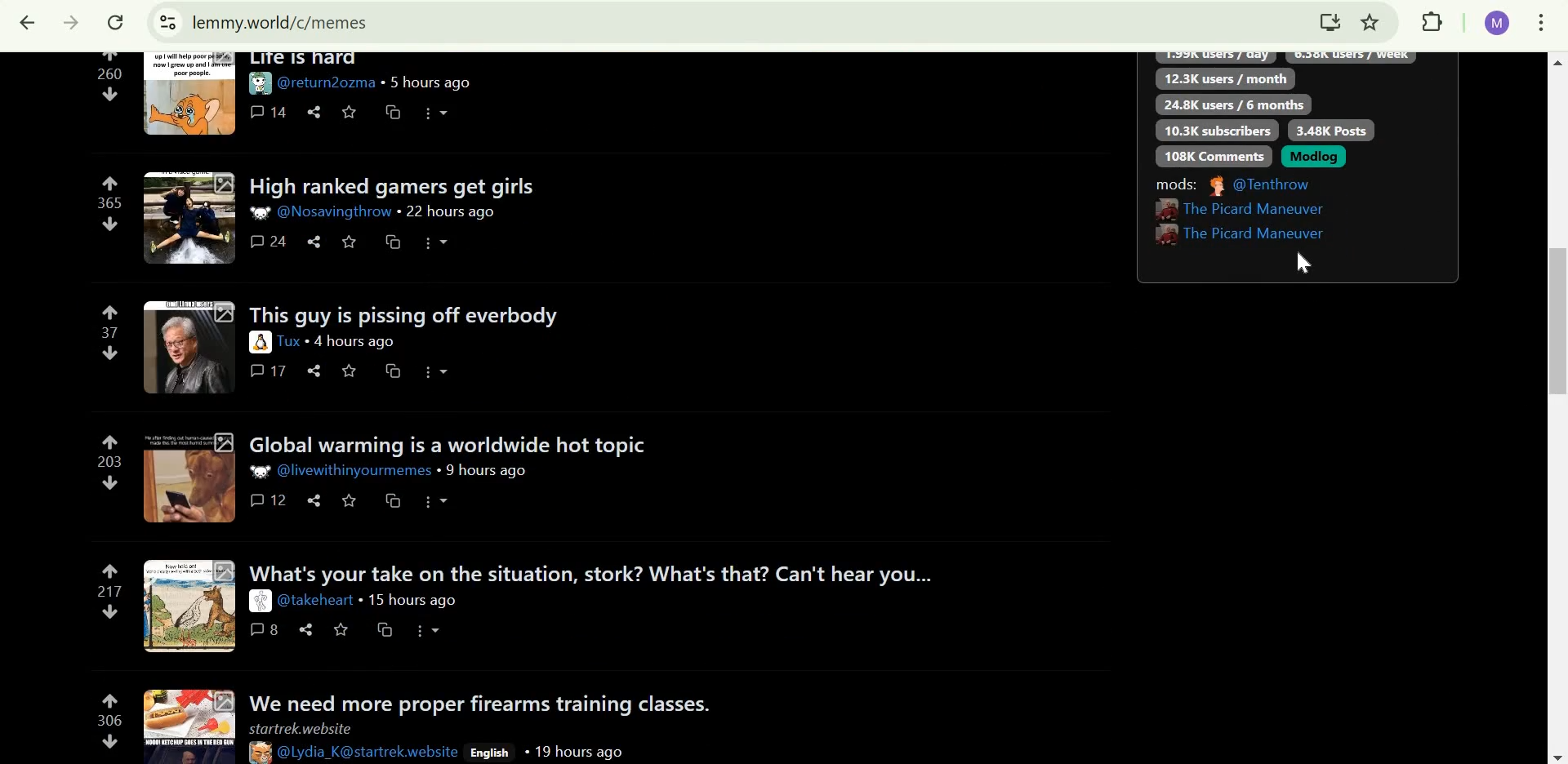 The image size is (1568, 764). I want to click on downvote, so click(113, 224).